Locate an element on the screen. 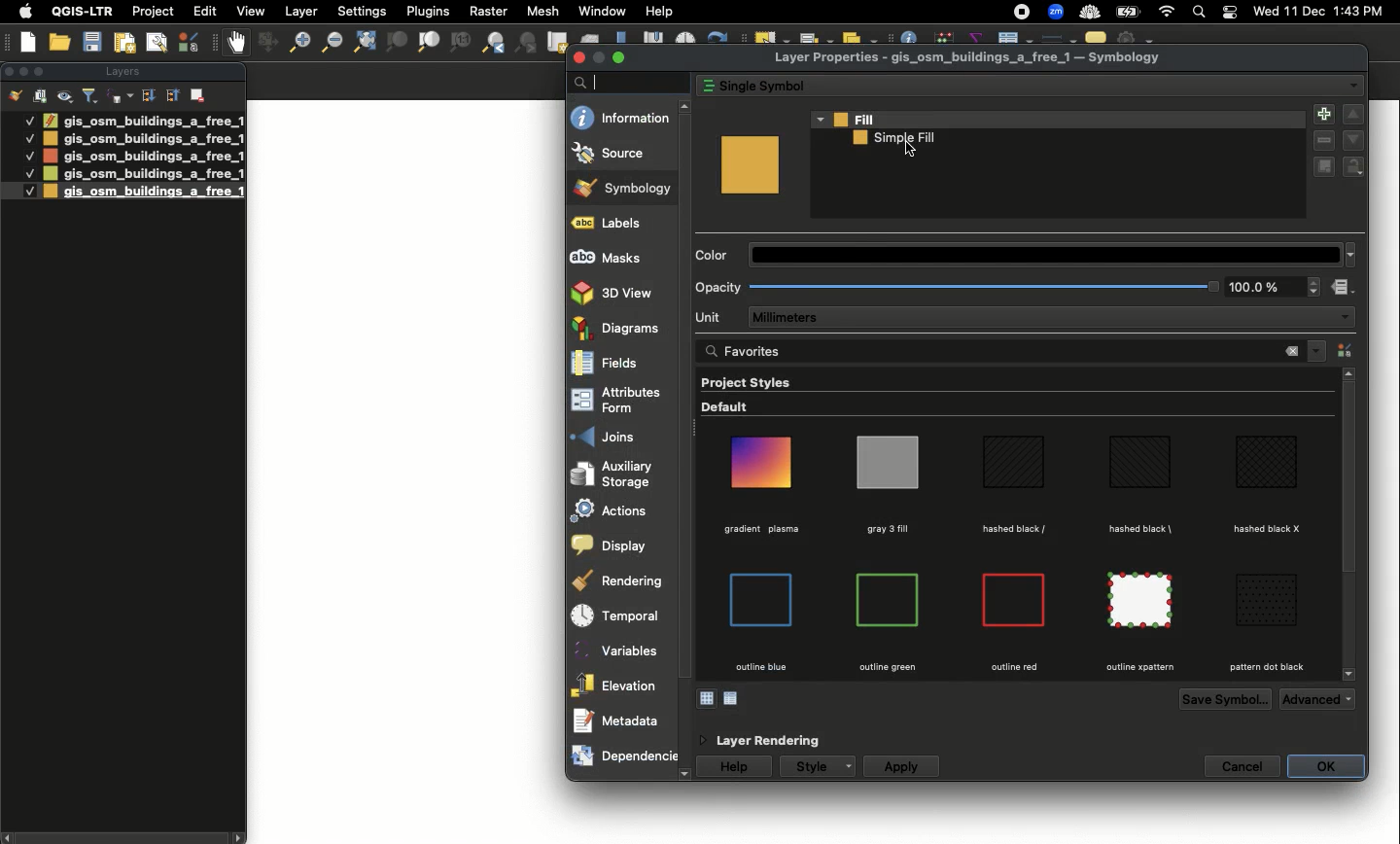  down is located at coordinates (685, 775).